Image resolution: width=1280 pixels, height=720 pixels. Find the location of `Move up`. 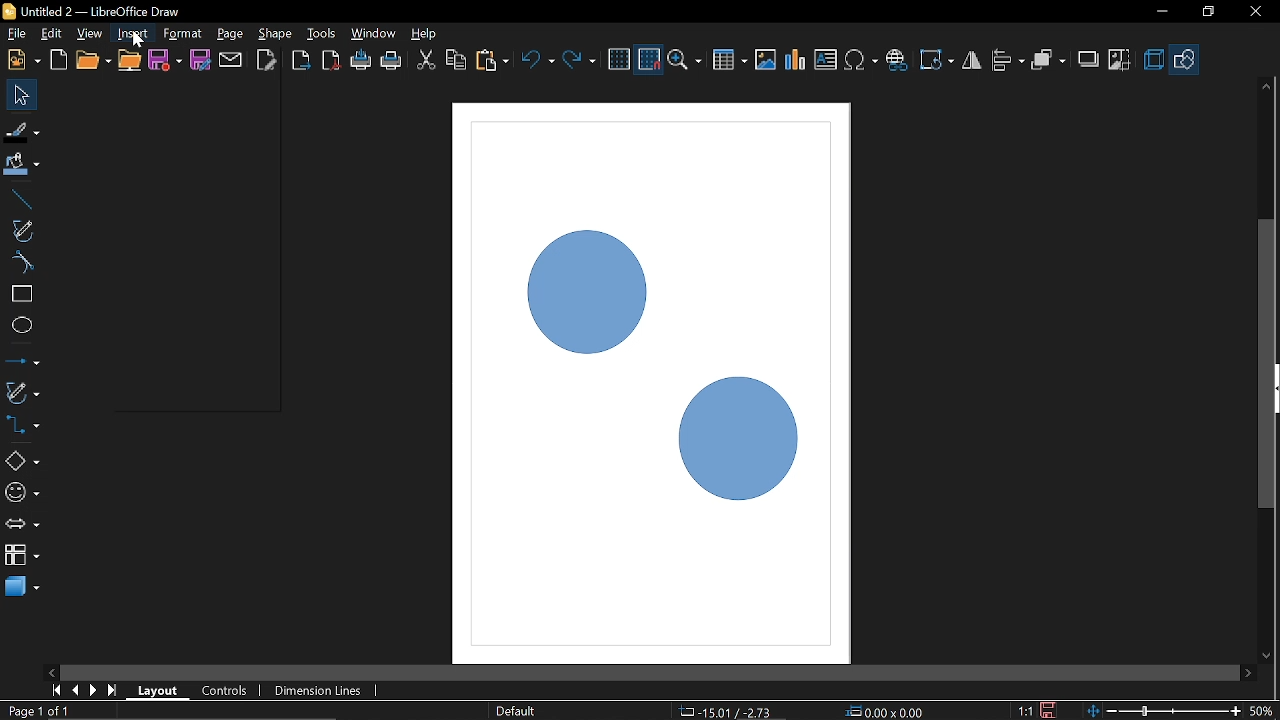

Move up is located at coordinates (1266, 86).